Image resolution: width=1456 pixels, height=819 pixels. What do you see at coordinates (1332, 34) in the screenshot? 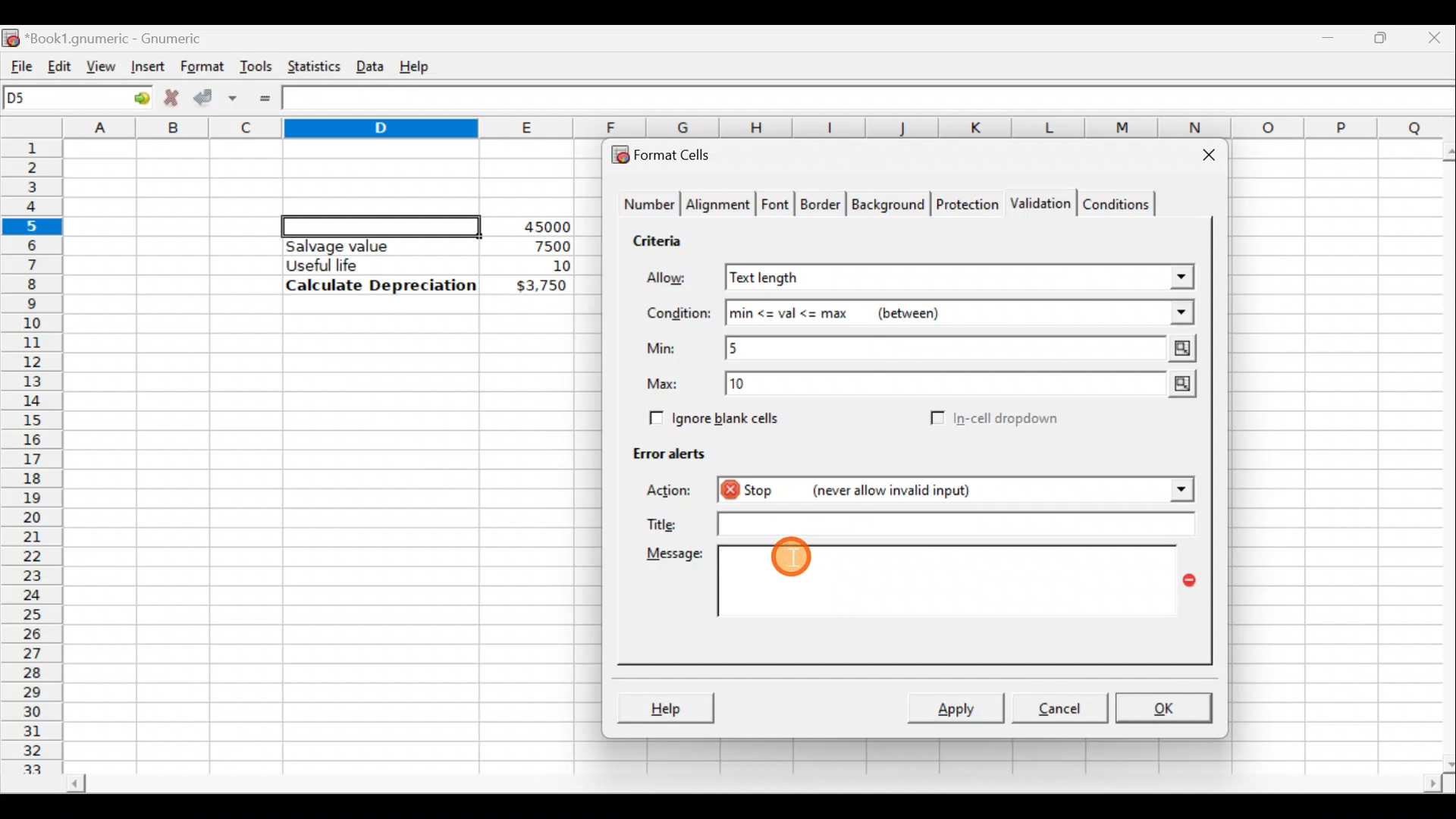
I see `Minimize` at bounding box center [1332, 34].